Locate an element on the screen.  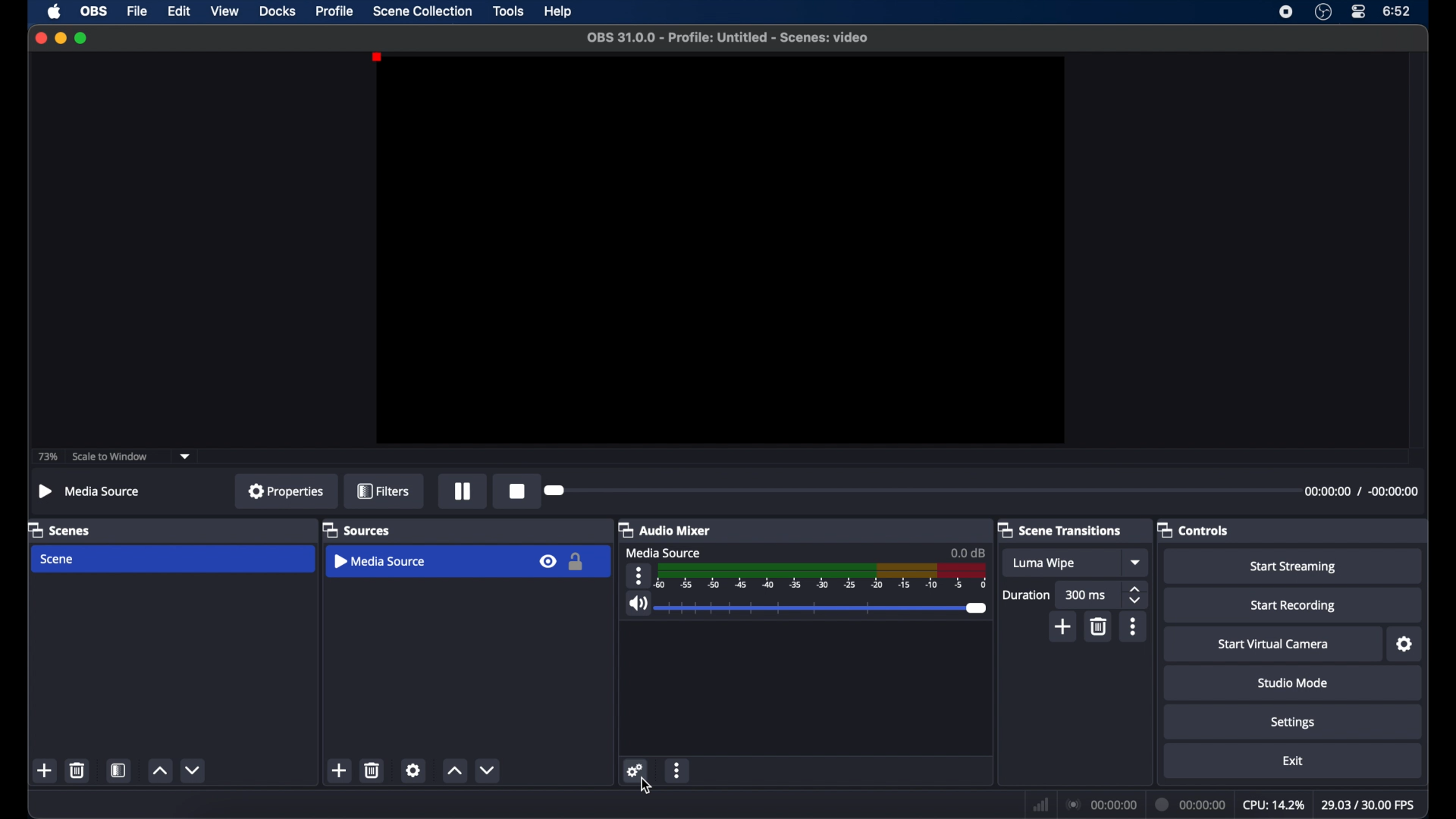
increment is located at coordinates (453, 770).